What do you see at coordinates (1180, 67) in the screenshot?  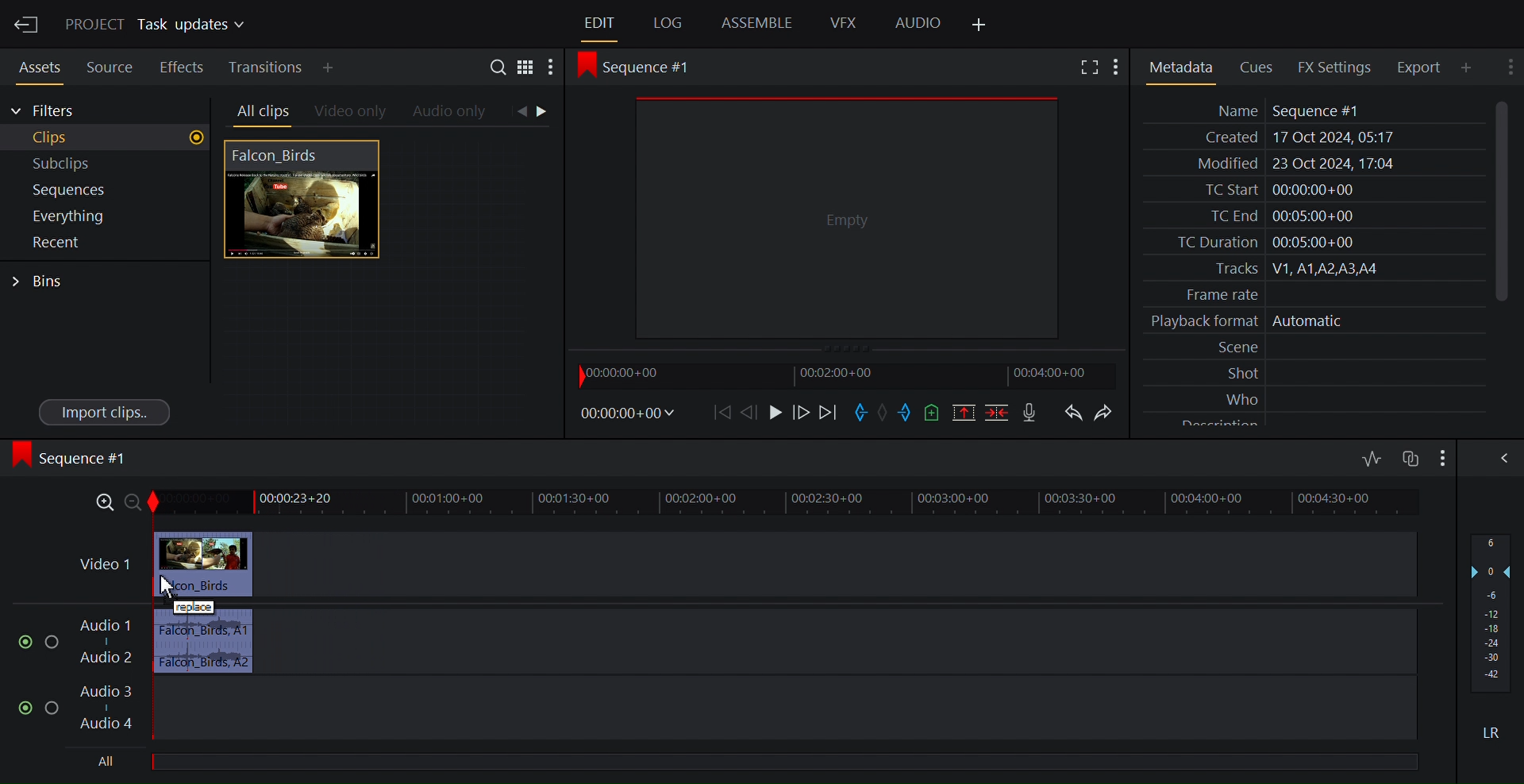 I see `Metadata Panel` at bounding box center [1180, 67].